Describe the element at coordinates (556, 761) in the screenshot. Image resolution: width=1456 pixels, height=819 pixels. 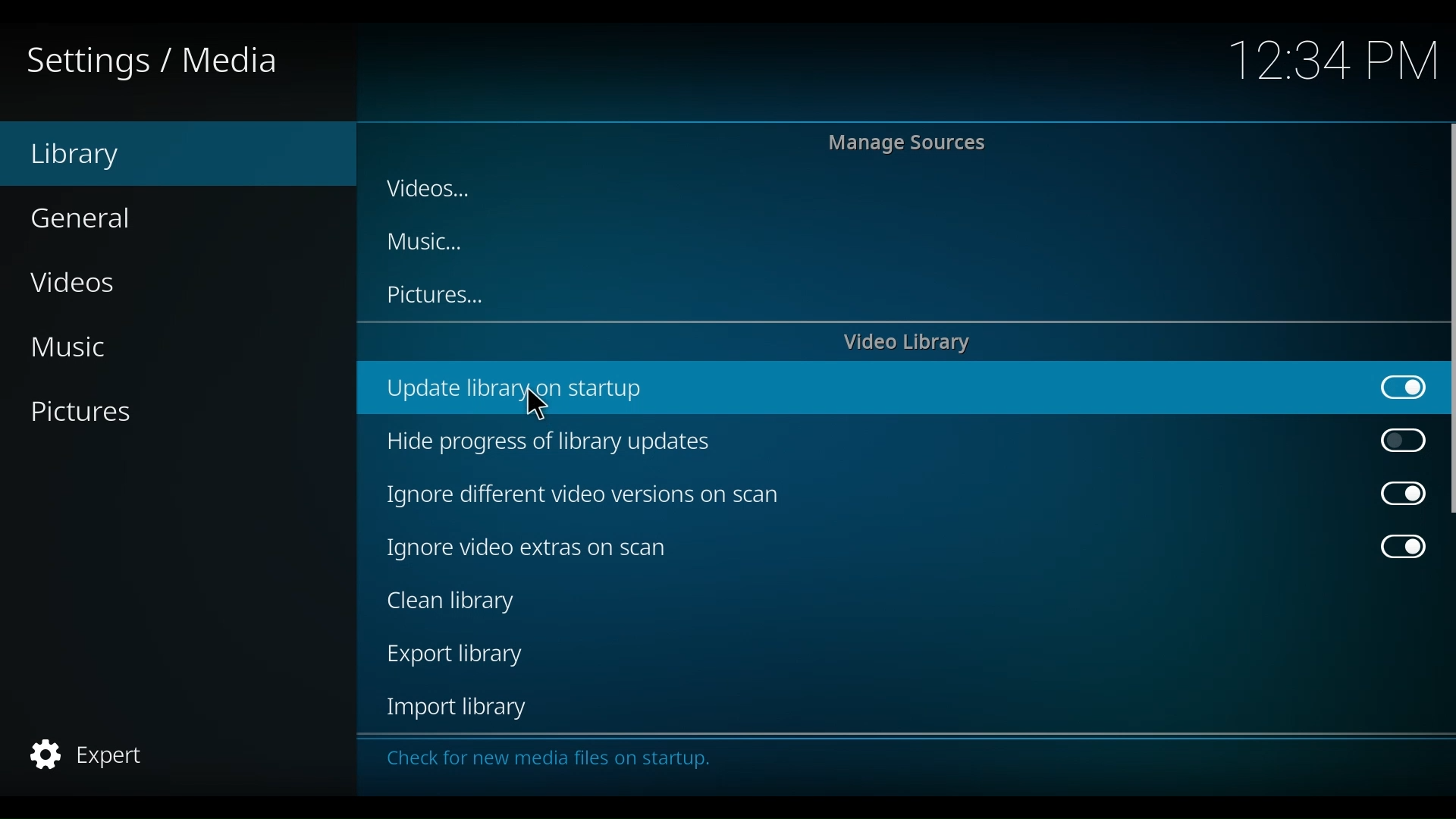
I see `Check for new media on startup` at that location.